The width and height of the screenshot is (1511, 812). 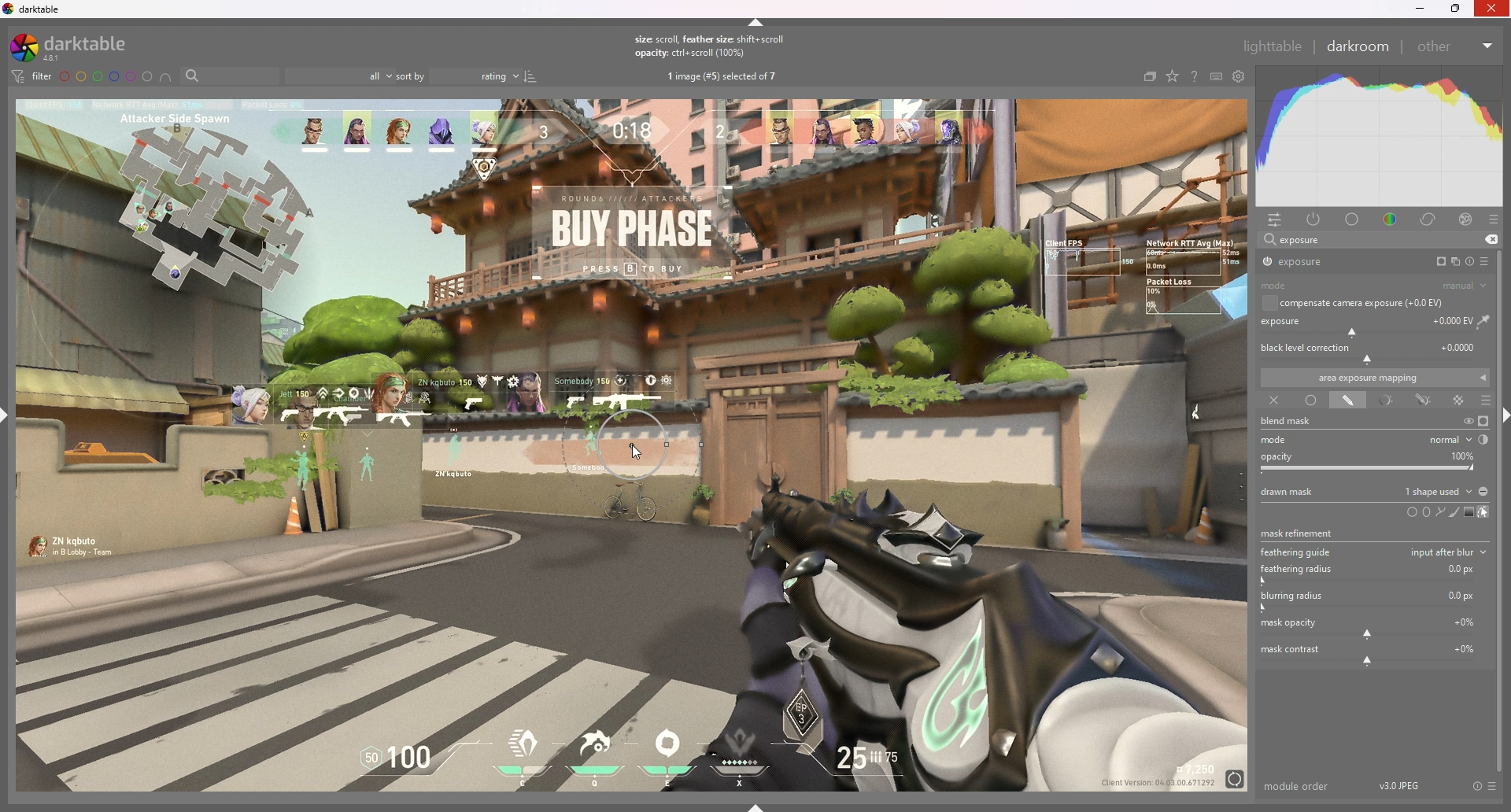 What do you see at coordinates (1295, 422) in the screenshot?
I see `blend mask` at bounding box center [1295, 422].